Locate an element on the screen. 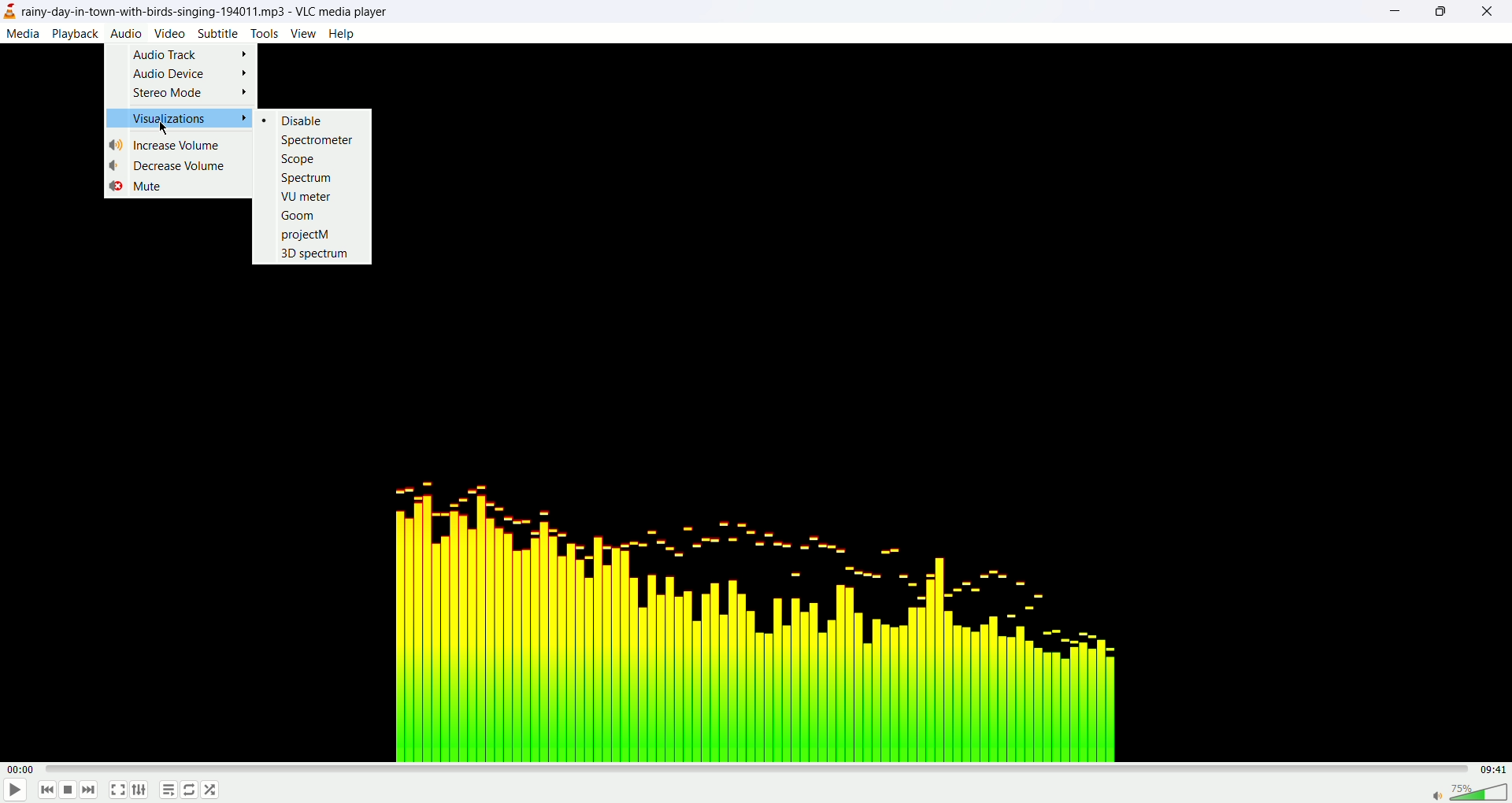 This screenshot has width=1512, height=803. extended settings is located at coordinates (140, 791).